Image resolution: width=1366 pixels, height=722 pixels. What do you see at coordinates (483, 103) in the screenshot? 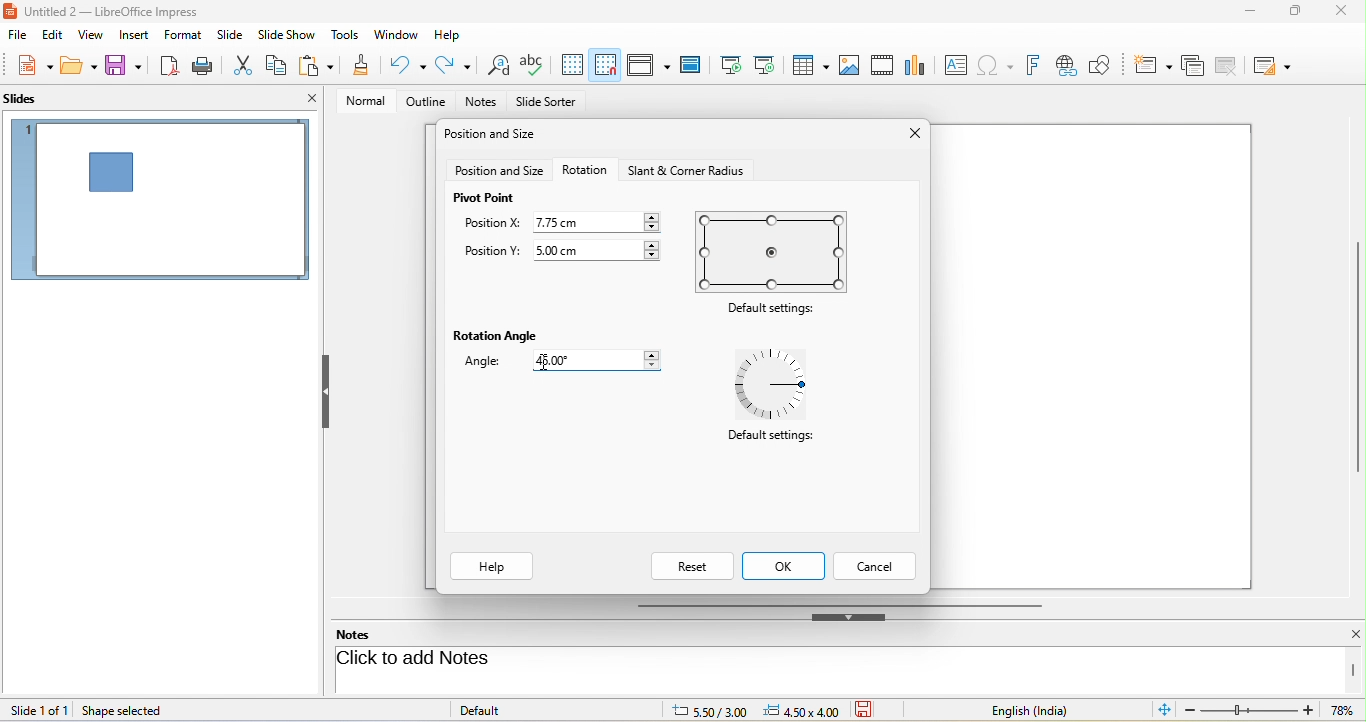
I see `notes` at bounding box center [483, 103].